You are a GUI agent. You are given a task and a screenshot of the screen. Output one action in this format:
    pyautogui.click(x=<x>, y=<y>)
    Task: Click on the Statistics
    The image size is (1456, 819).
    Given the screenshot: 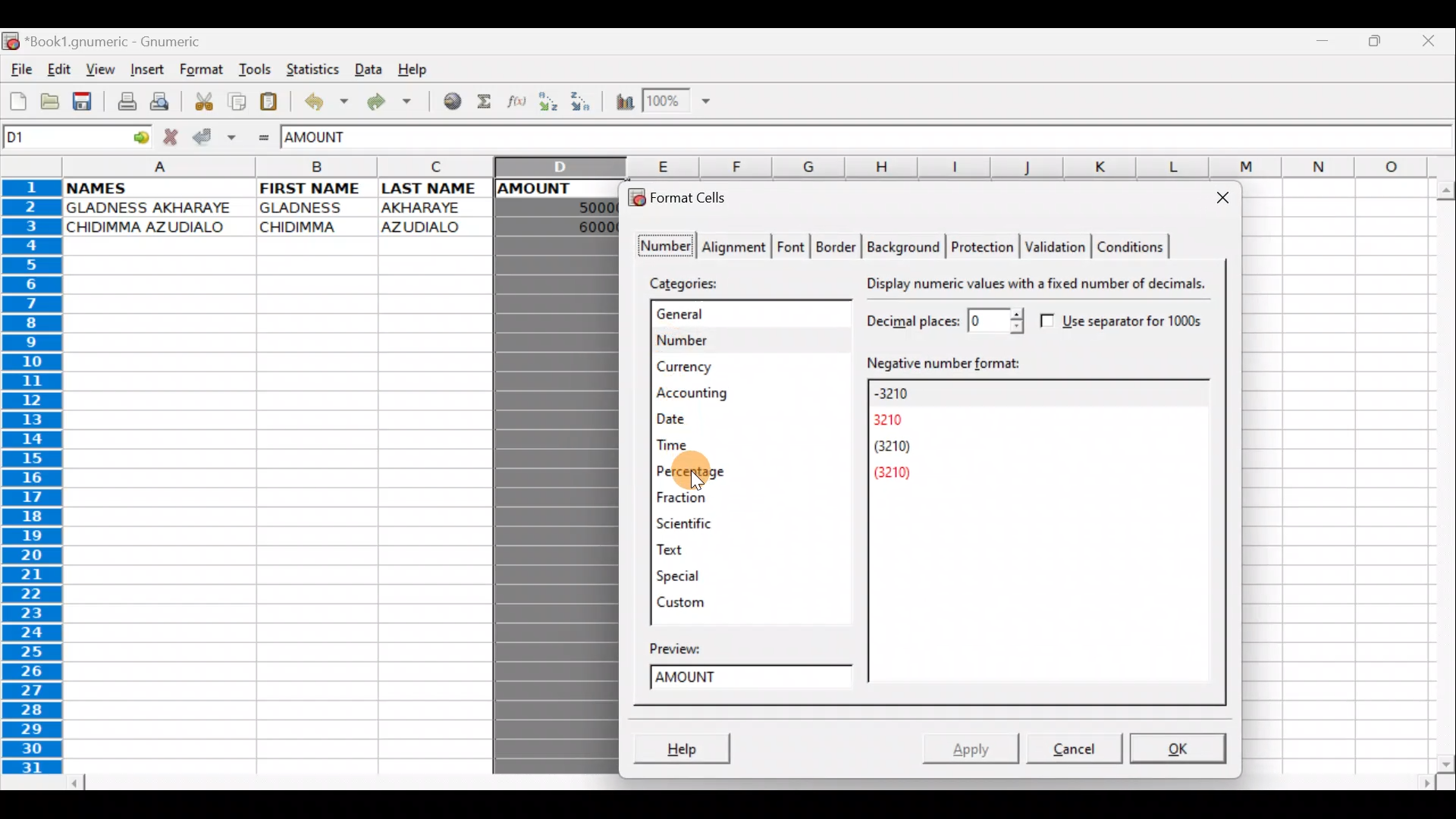 What is the action you would take?
    pyautogui.click(x=309, y=69)
    